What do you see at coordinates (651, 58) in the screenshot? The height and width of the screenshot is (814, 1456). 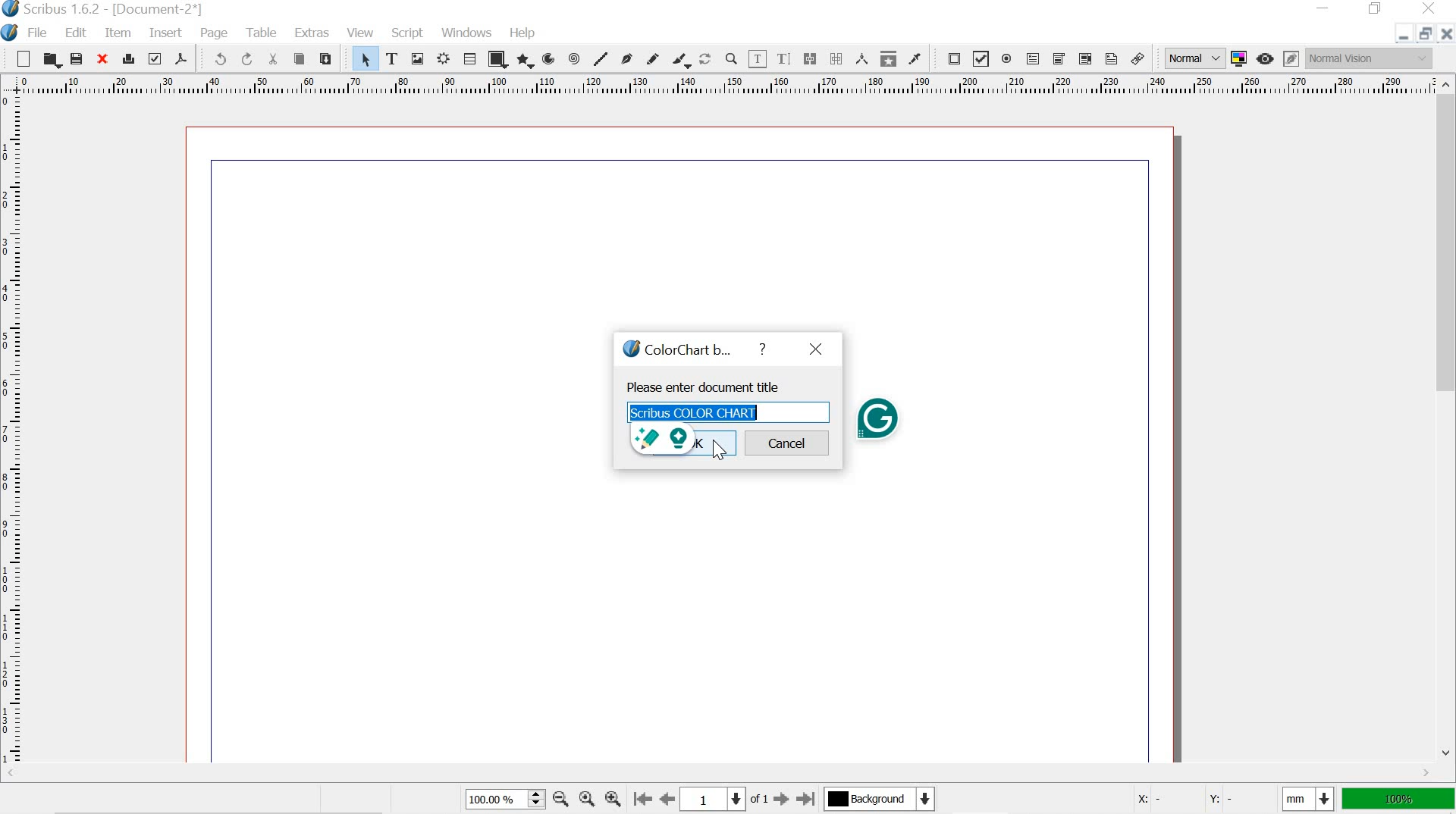 I see `freehand line` at bounding box center [651, 58].